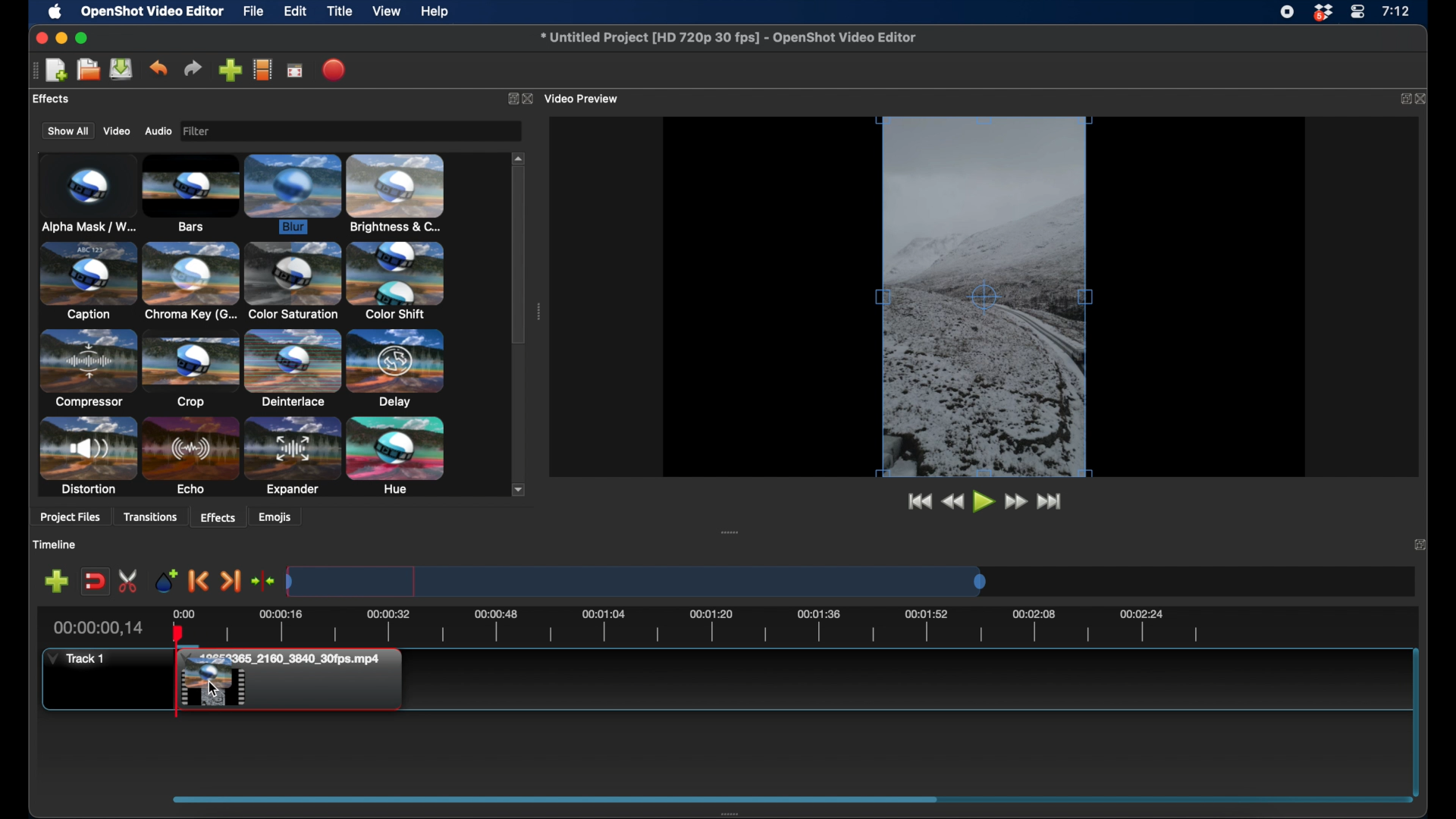  Describe the element at coordinates (86, 196) in the screenshot. I see `alpha mask` at that location.